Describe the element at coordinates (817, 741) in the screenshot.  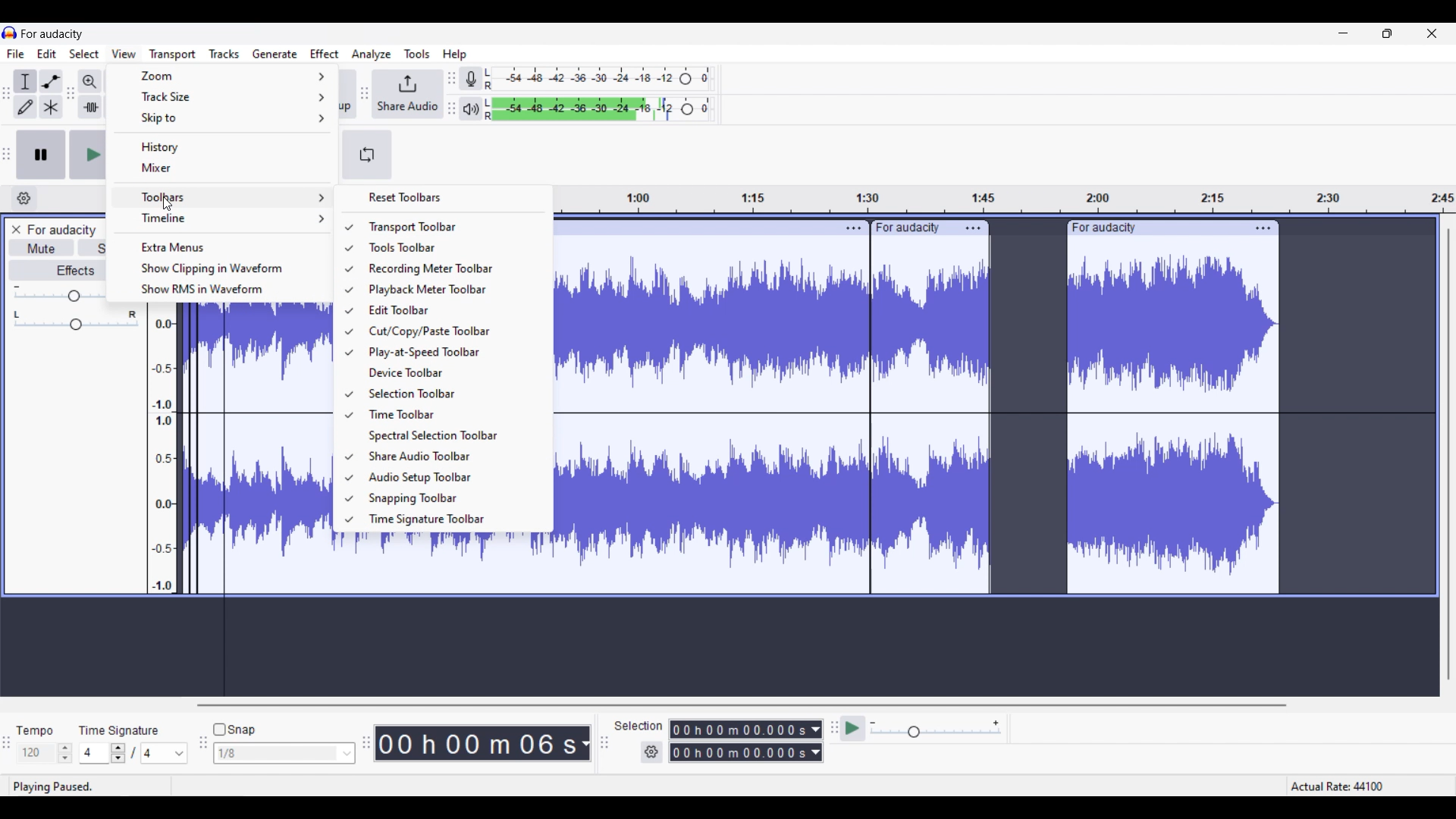
I see `Duration measurement` at that location.